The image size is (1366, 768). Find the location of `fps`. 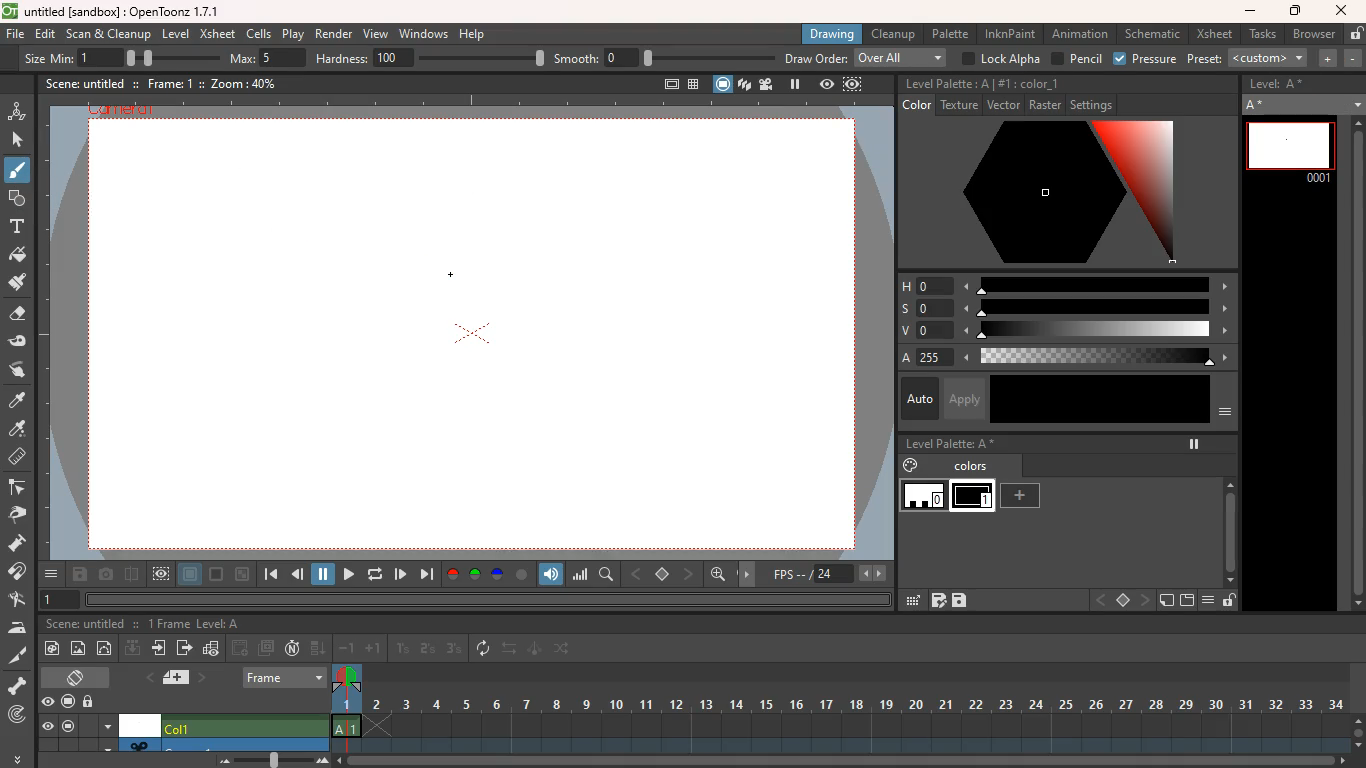

fps is located at coordinates (827, 574).